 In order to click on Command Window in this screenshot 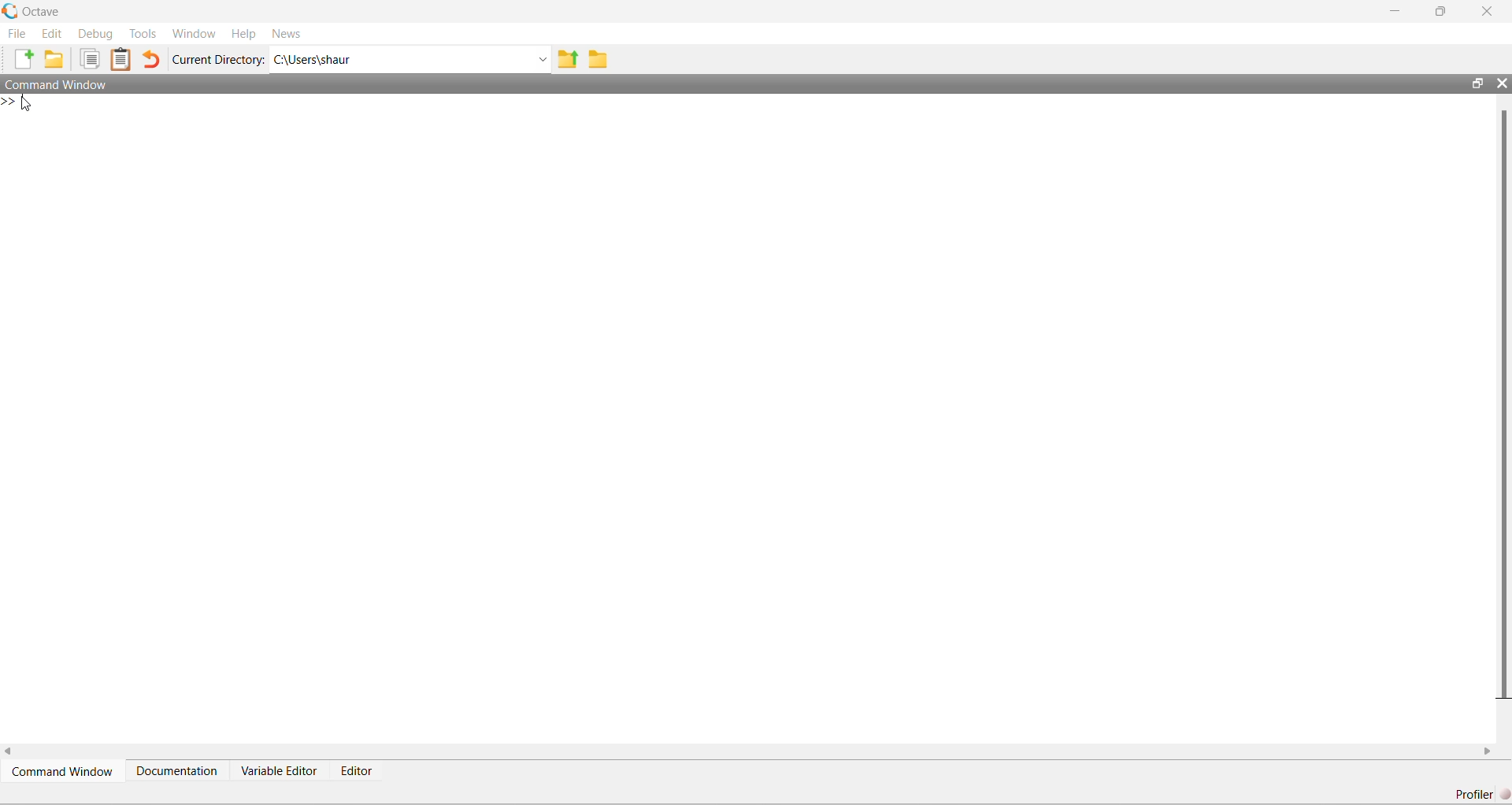, I will do `click(64, 771)`.